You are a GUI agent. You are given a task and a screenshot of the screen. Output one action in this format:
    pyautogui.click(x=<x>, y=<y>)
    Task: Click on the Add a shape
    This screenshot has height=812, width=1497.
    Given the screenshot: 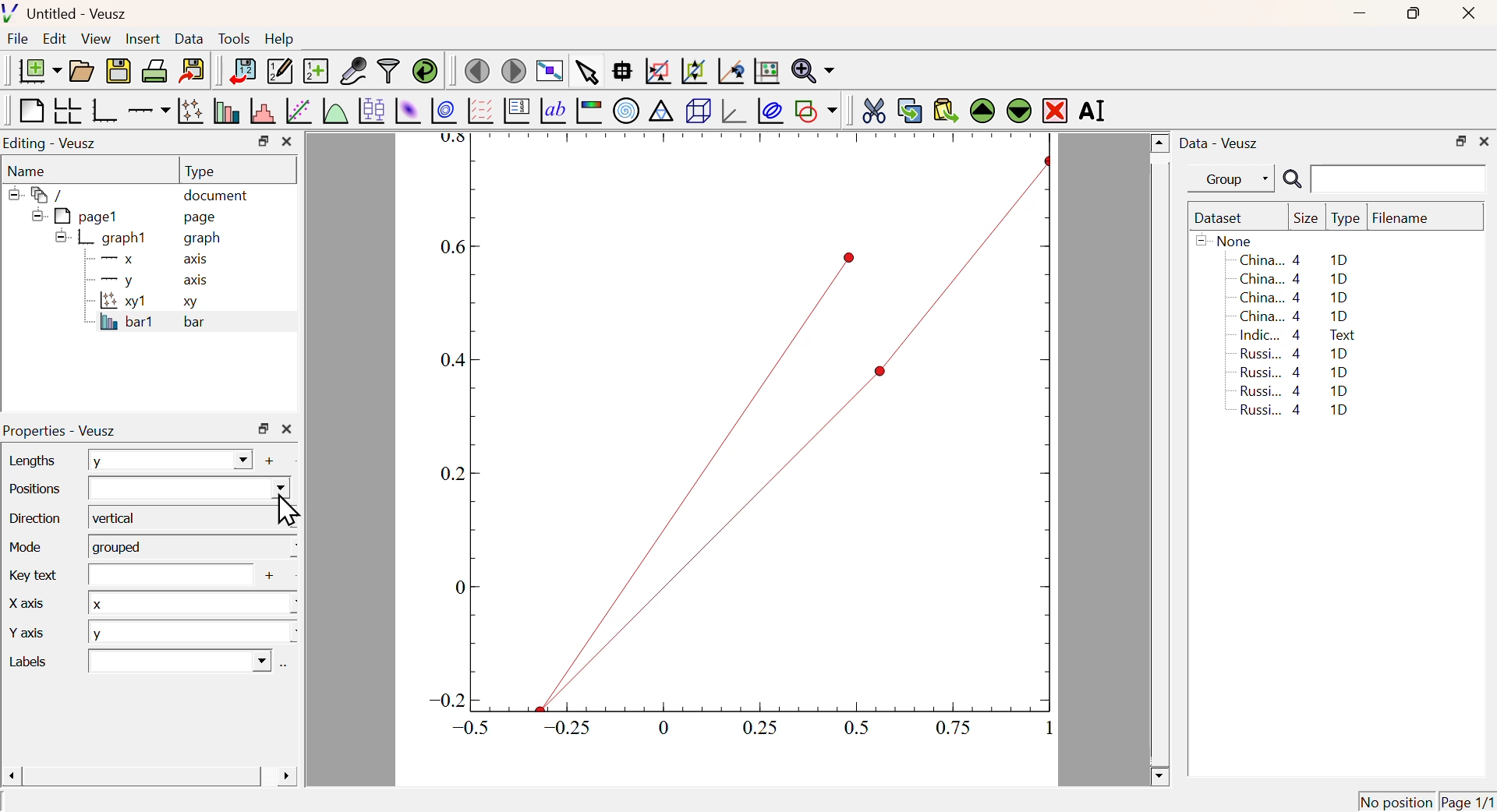 What is the action you would take?
    pyautogui.click(x=816, y=110)
    